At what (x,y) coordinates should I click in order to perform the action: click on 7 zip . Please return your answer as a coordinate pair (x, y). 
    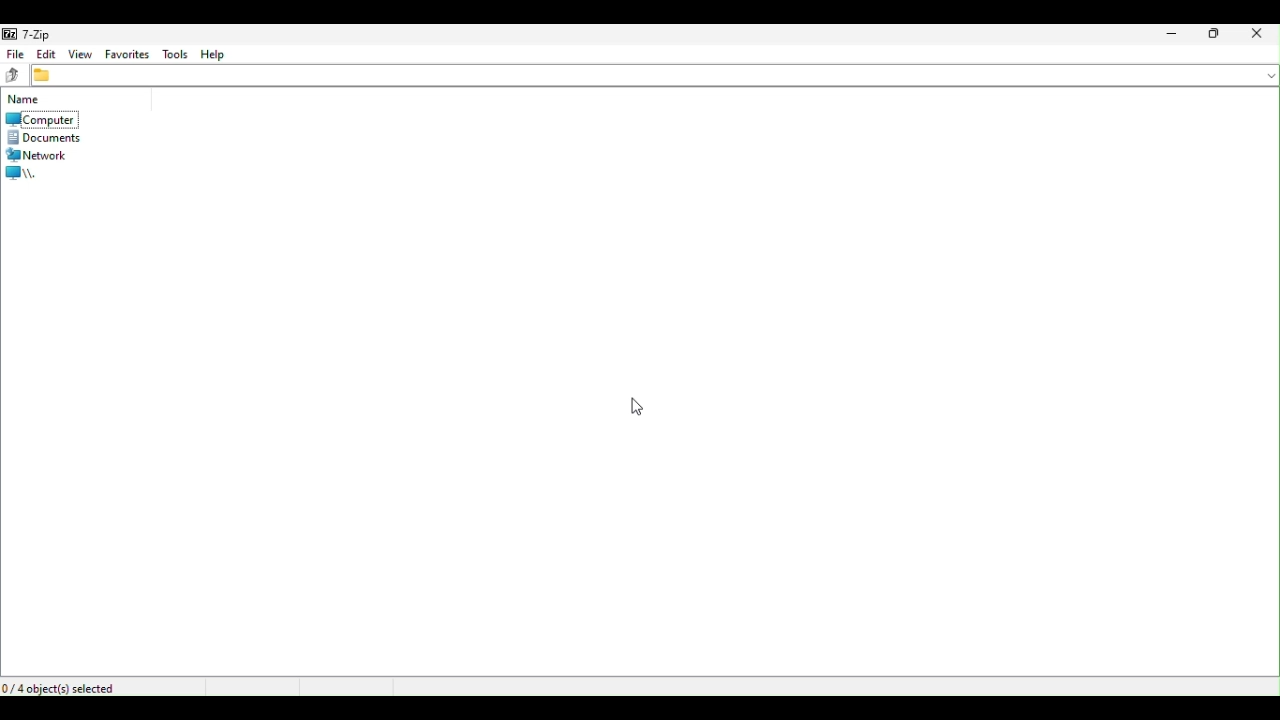
    Looking at the image, I should click on (33, 33).